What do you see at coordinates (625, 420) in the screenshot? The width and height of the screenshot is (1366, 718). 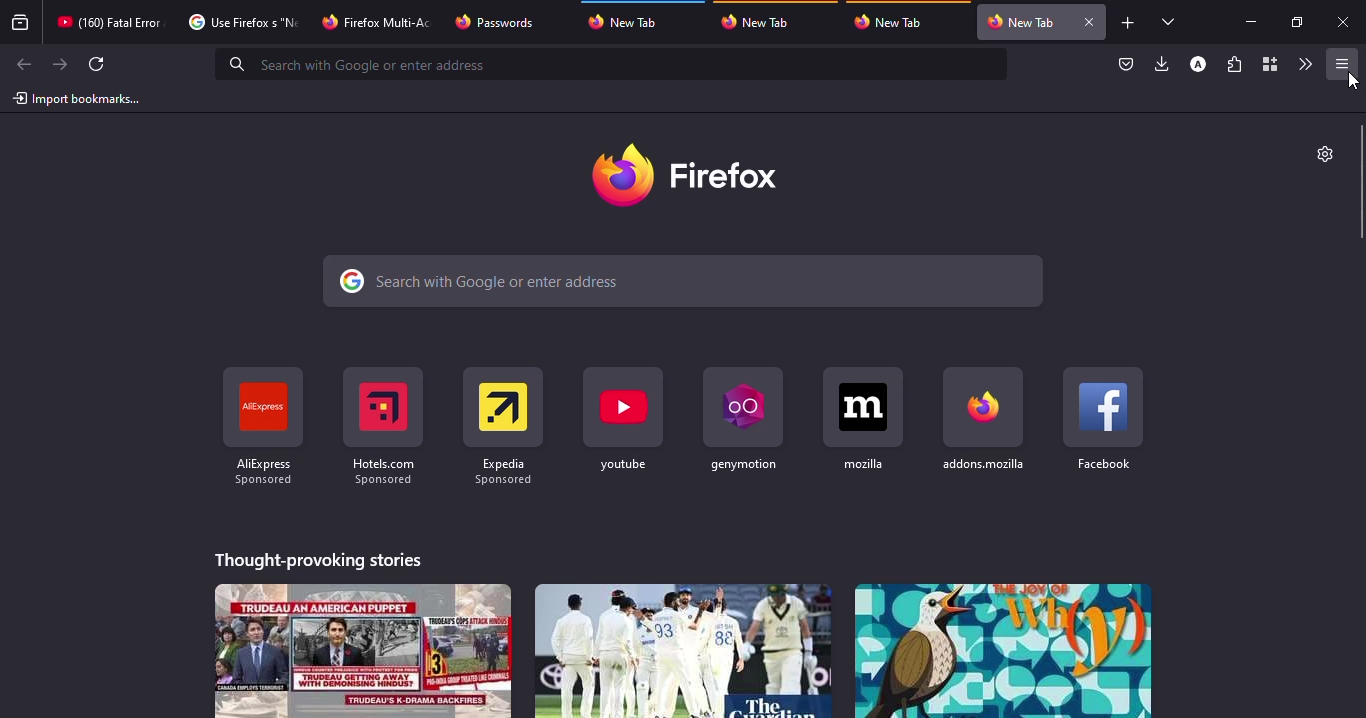 I see `shortcut` at bounding box center [625, 420].